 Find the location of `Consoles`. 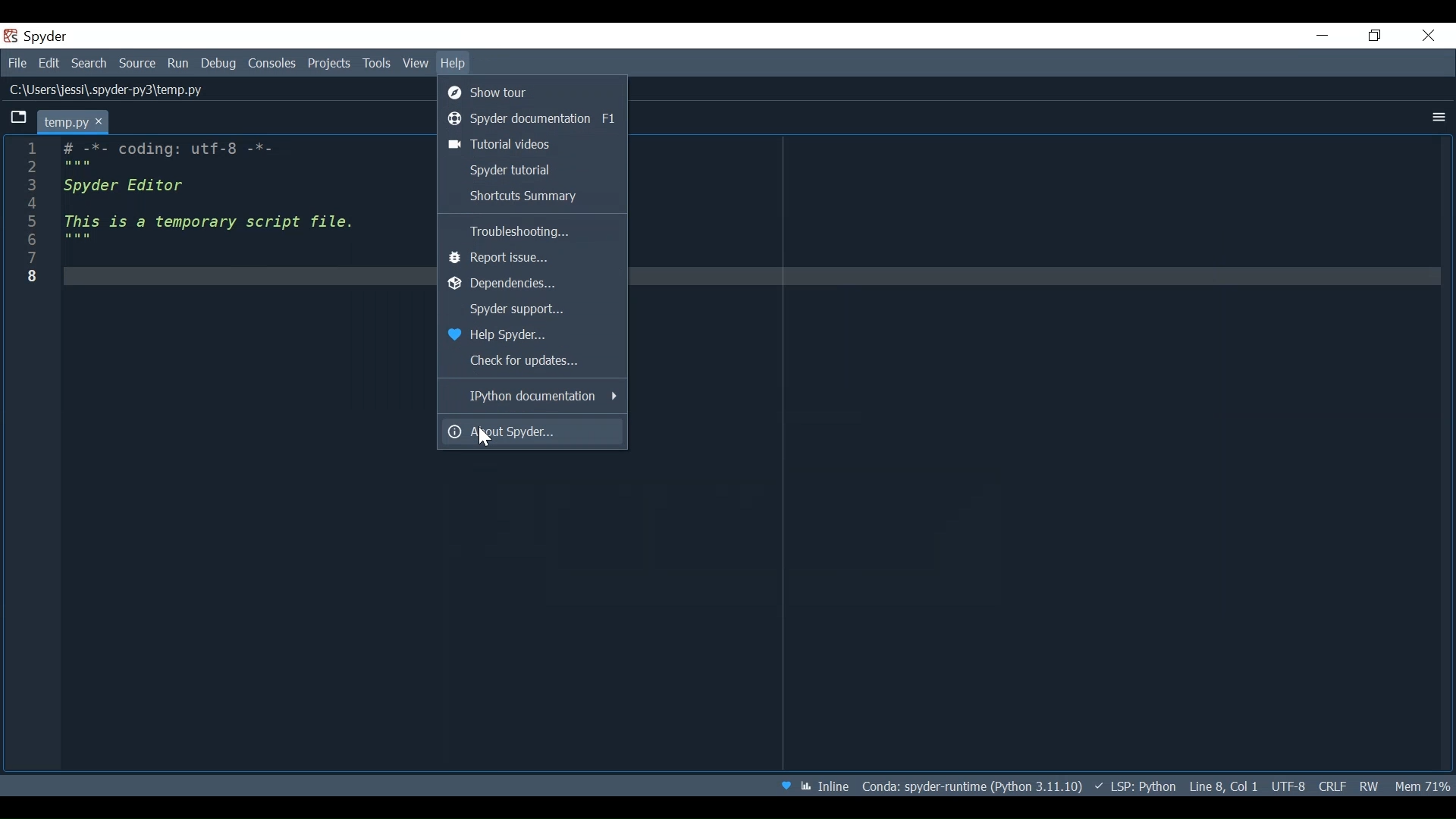

Consoles is located at coordinates (274, 65).